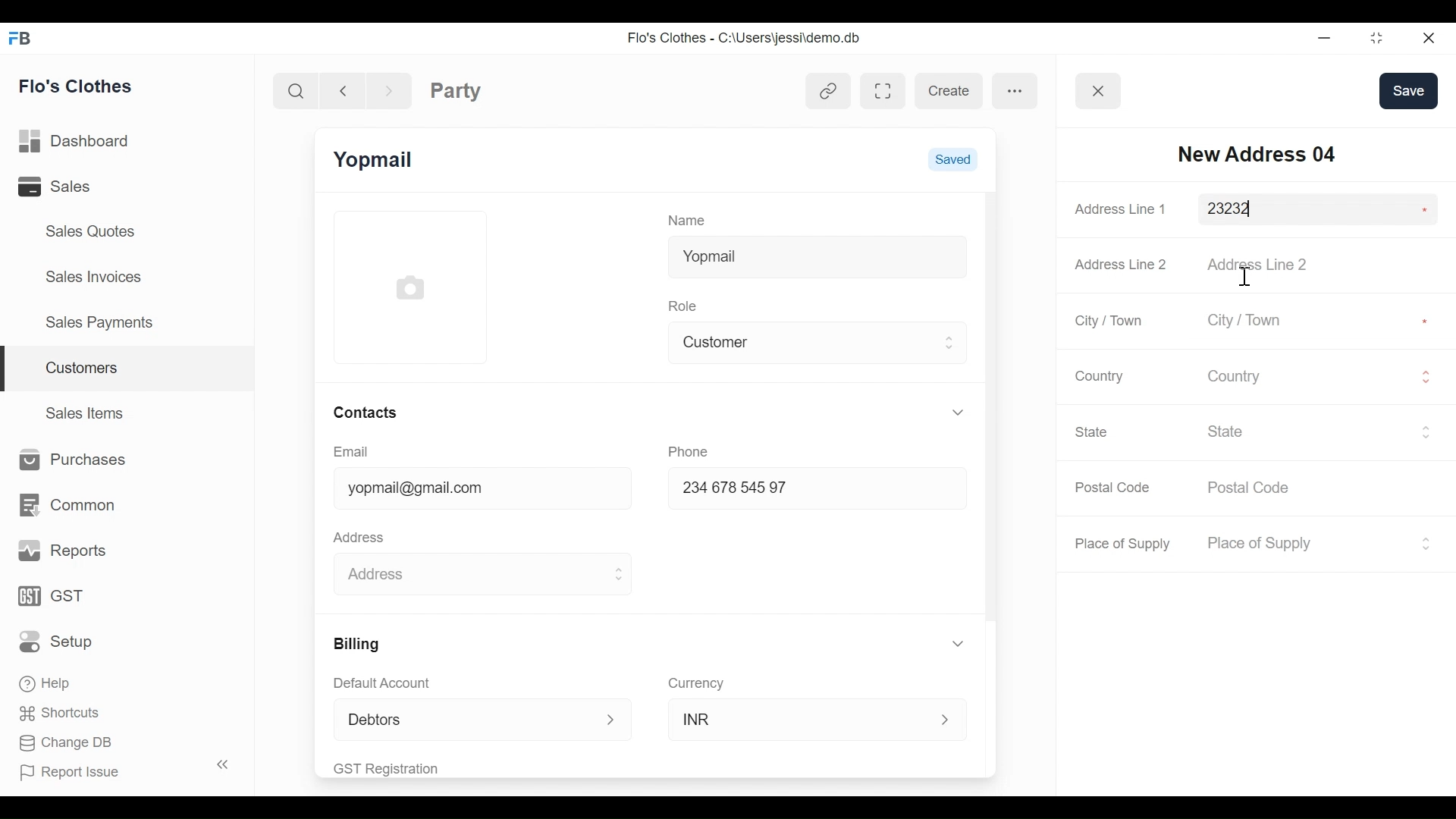 Image resolution: width=1456 pixels, height=819 pixels. I want to click on Vertical Scroll bar, so click(990, 407).